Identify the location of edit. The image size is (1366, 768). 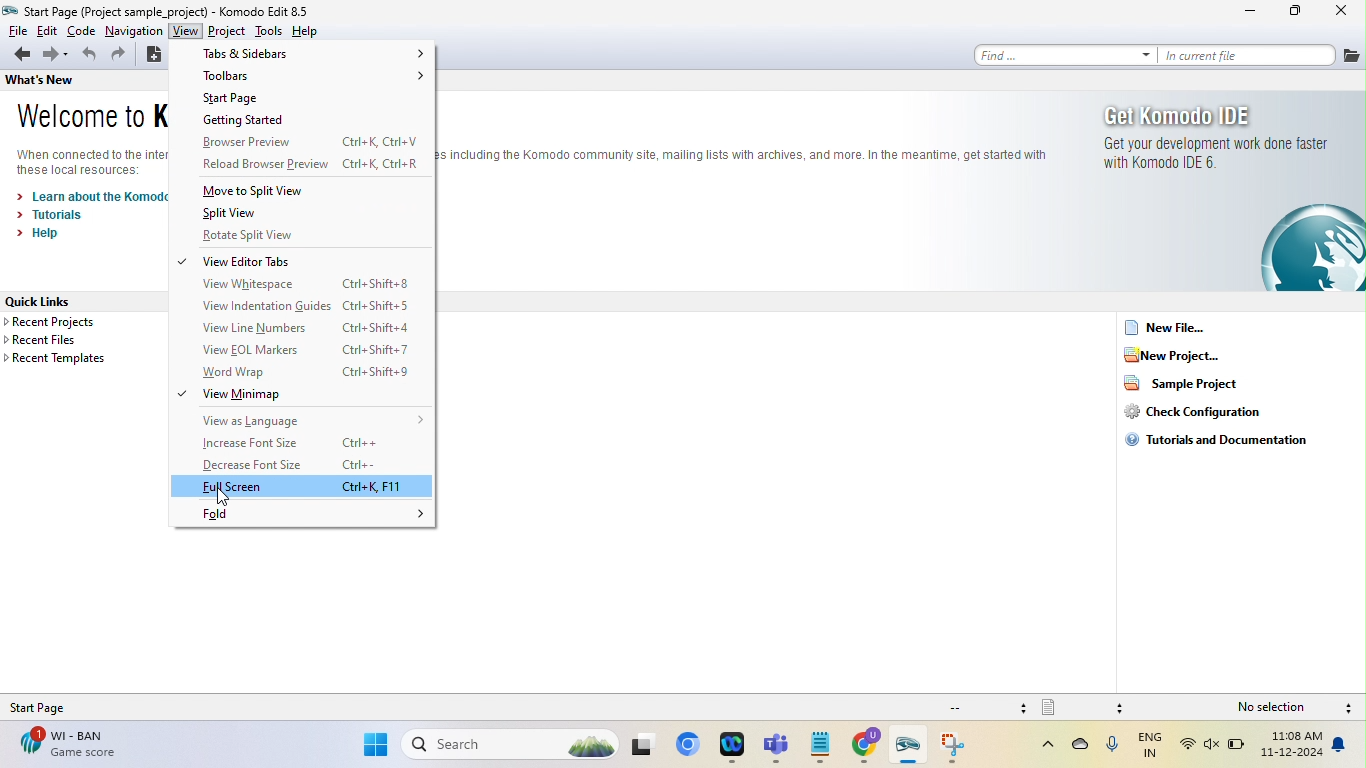
(47, 31).